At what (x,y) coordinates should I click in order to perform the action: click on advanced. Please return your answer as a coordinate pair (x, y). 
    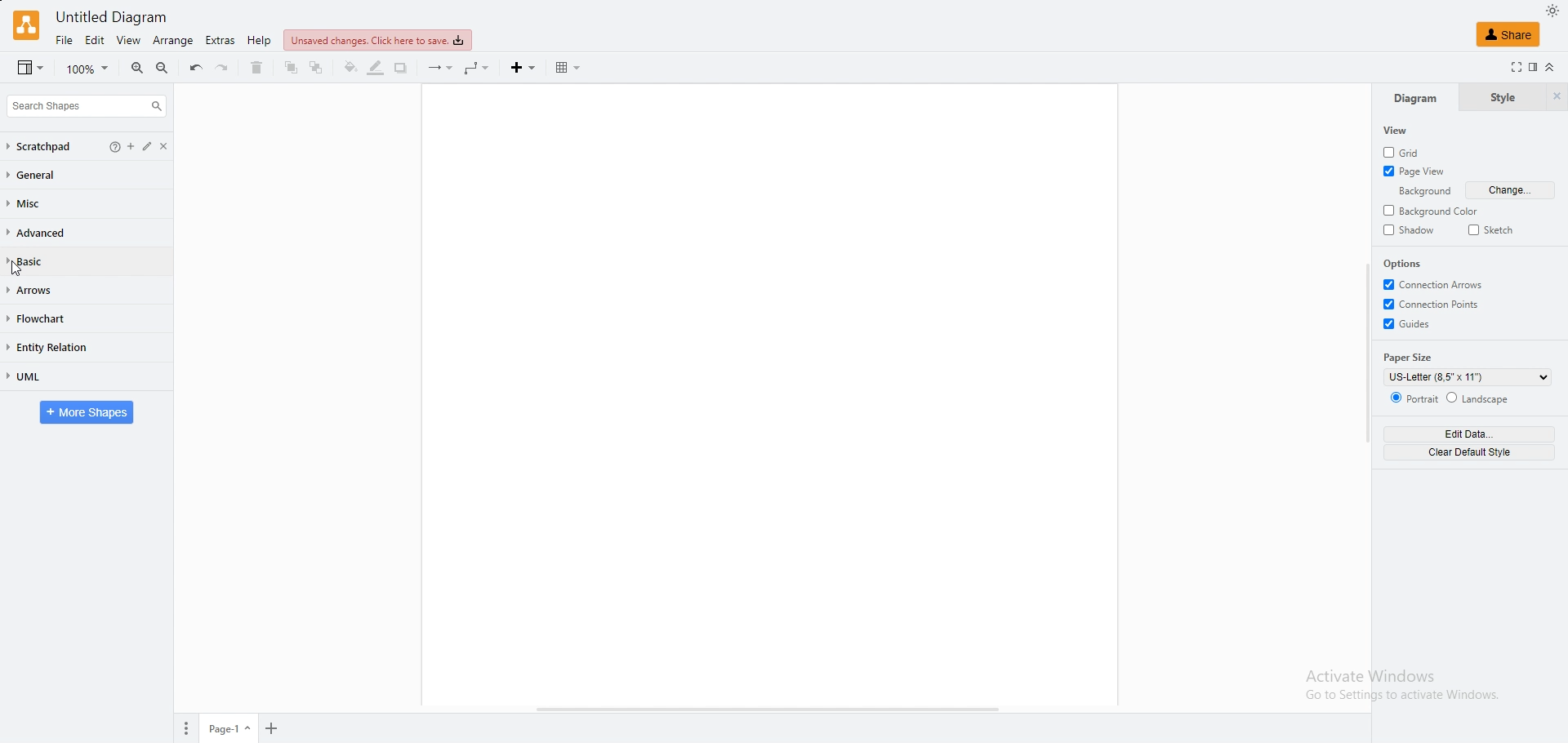
    Looking at the image, I should click on (40, 234).